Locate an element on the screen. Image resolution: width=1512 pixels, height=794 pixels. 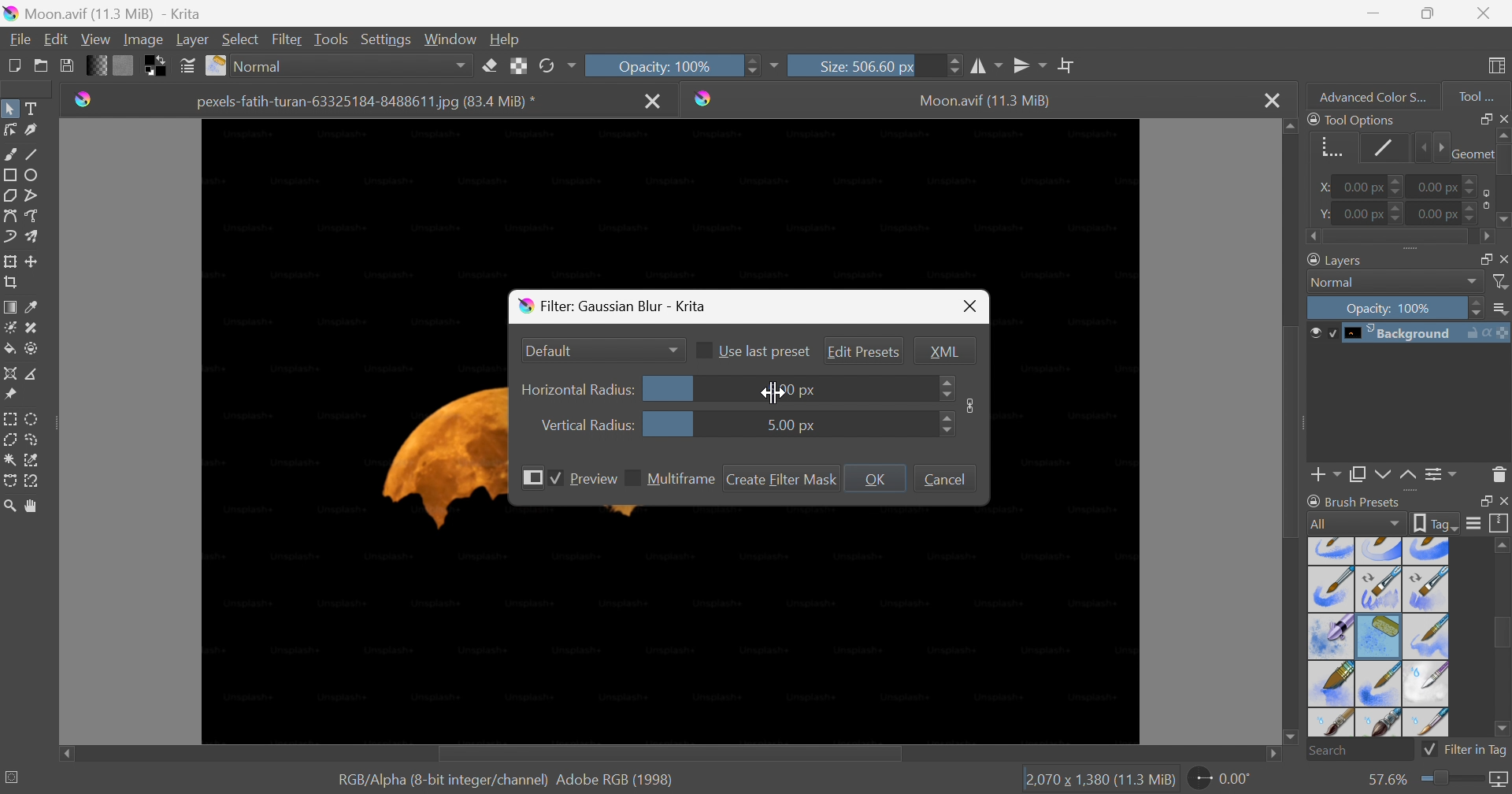
Close is located at coordinates (1271, 98).